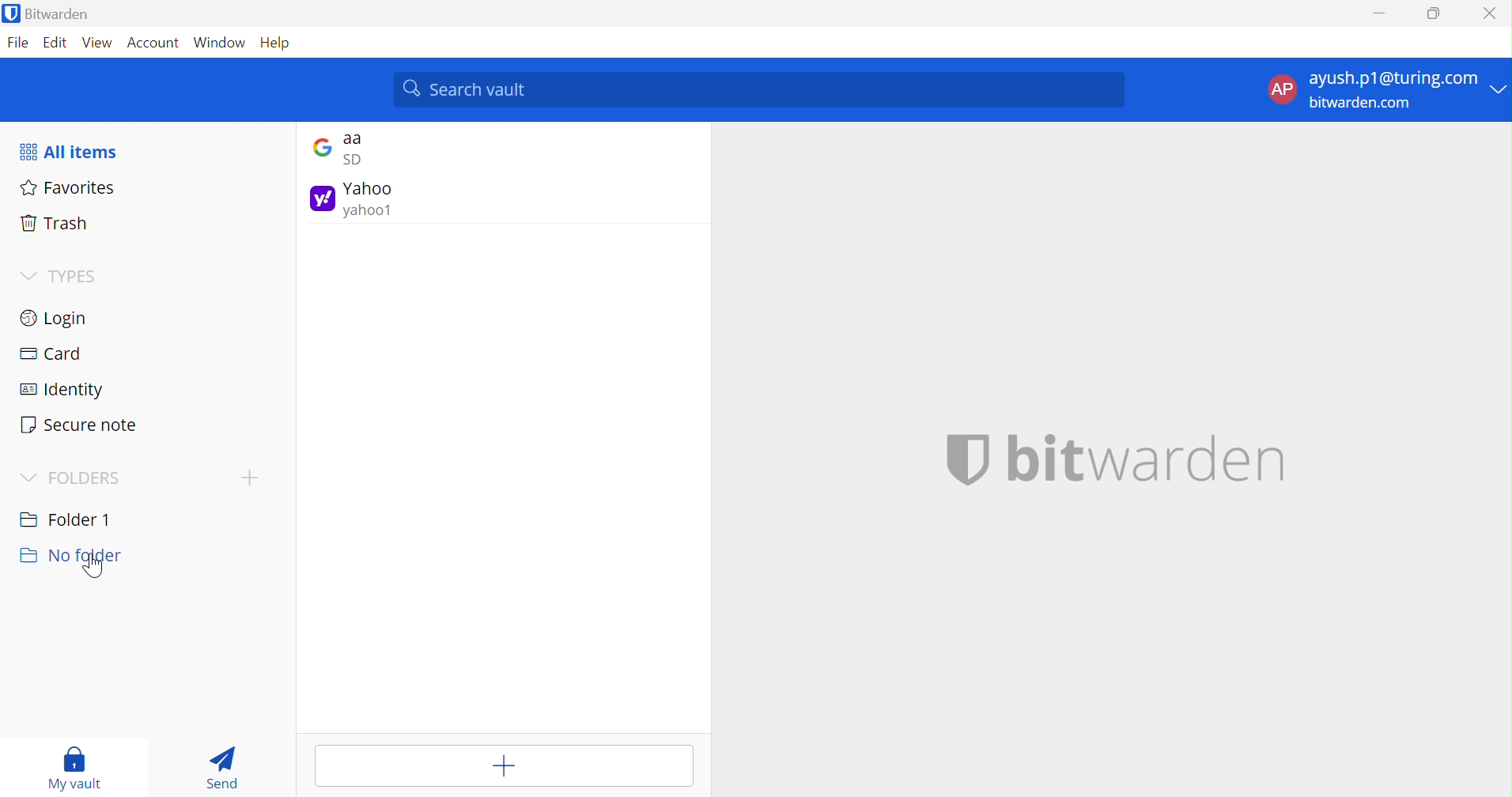 The image size is (1512, 797). Describe the element at coordinates (56, 318) in the screenshot. I see `Login` at that location.